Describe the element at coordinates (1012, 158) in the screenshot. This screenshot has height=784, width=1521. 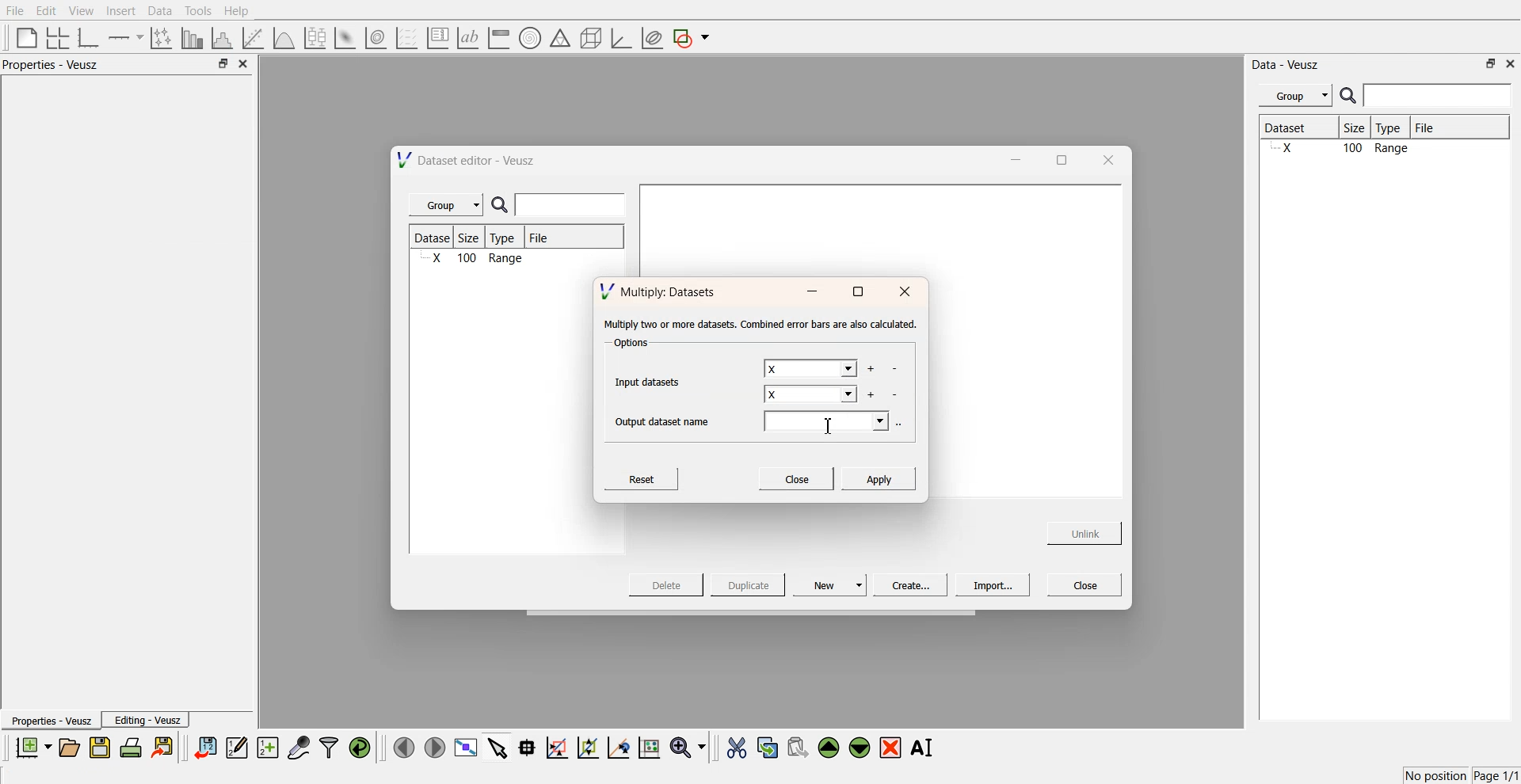
I see `minimise` at that location.